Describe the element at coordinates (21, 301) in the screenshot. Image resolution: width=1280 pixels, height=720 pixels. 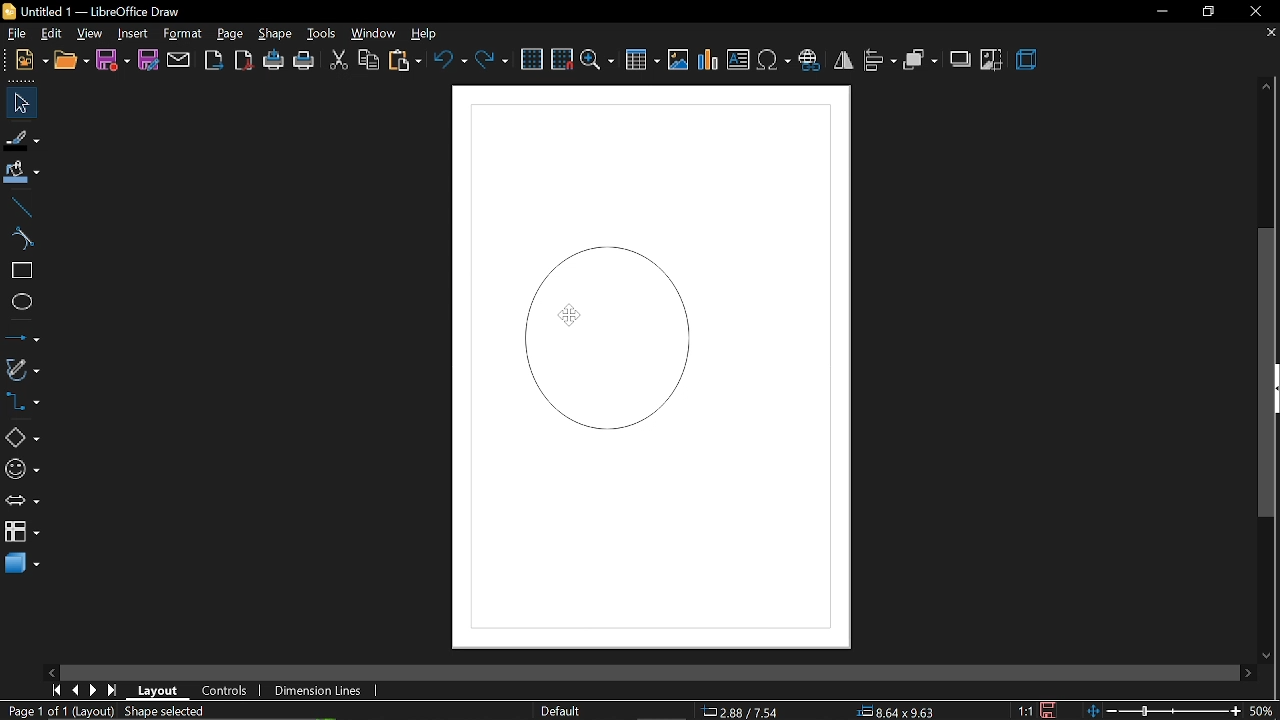
I see `ellipse` at that location.